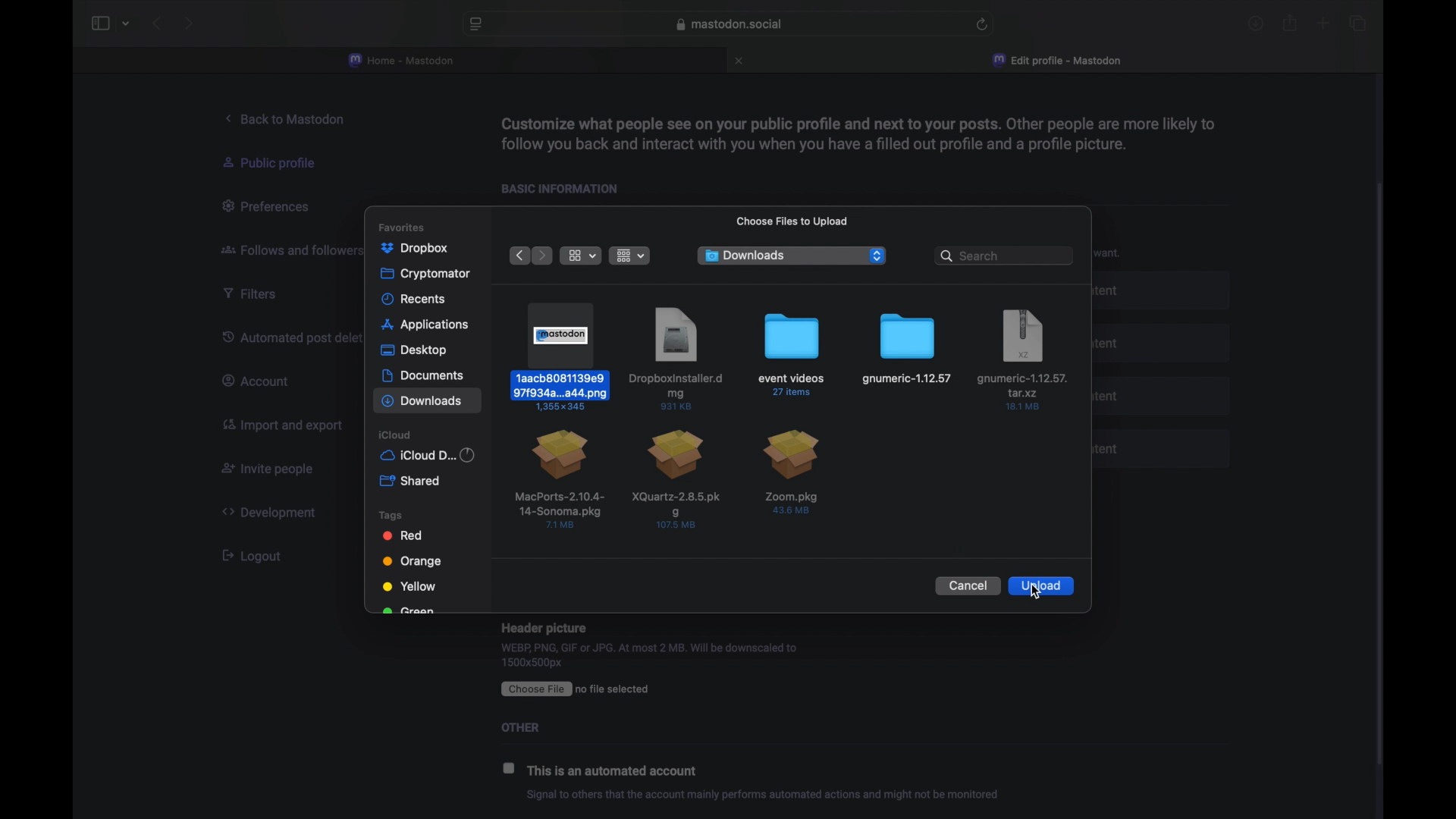 This screenshot has width=1456, height=819. I want to click on choose files to upload, so click(792, 220).